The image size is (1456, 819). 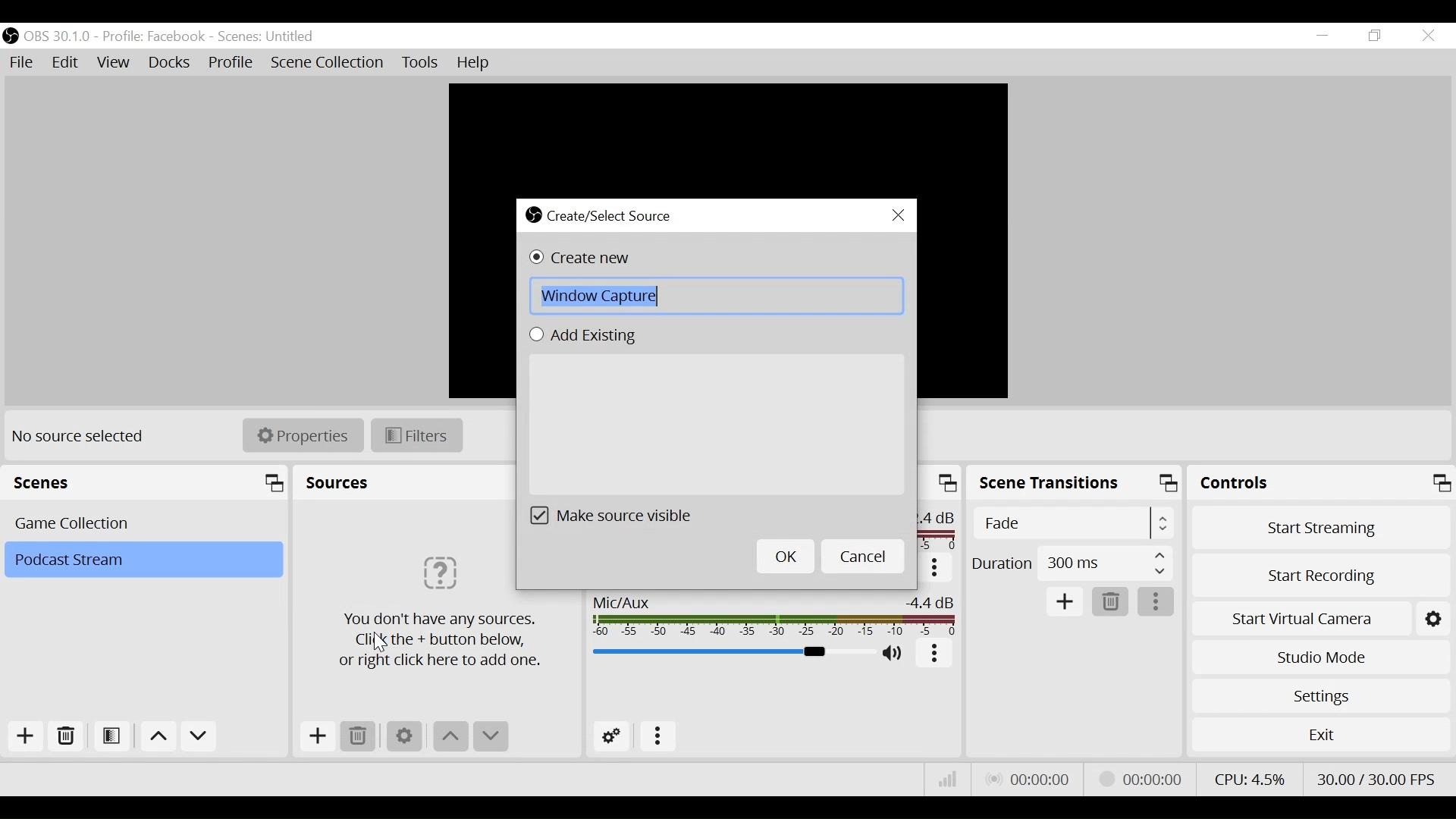 What do you see at coordinates (1144, 780) in the screenshot?
I see `Stream Status` at bounding box center [1144, 780].